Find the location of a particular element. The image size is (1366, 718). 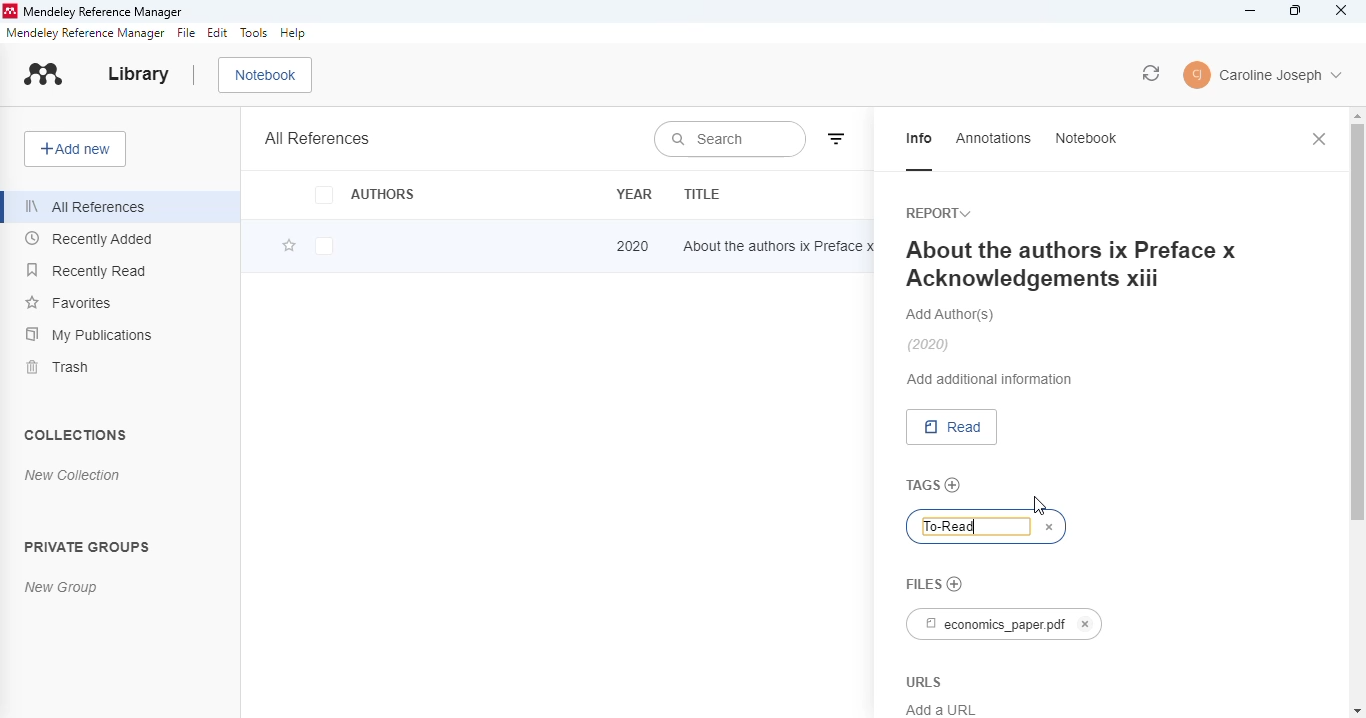

all references is located at coordinates (85, 206).